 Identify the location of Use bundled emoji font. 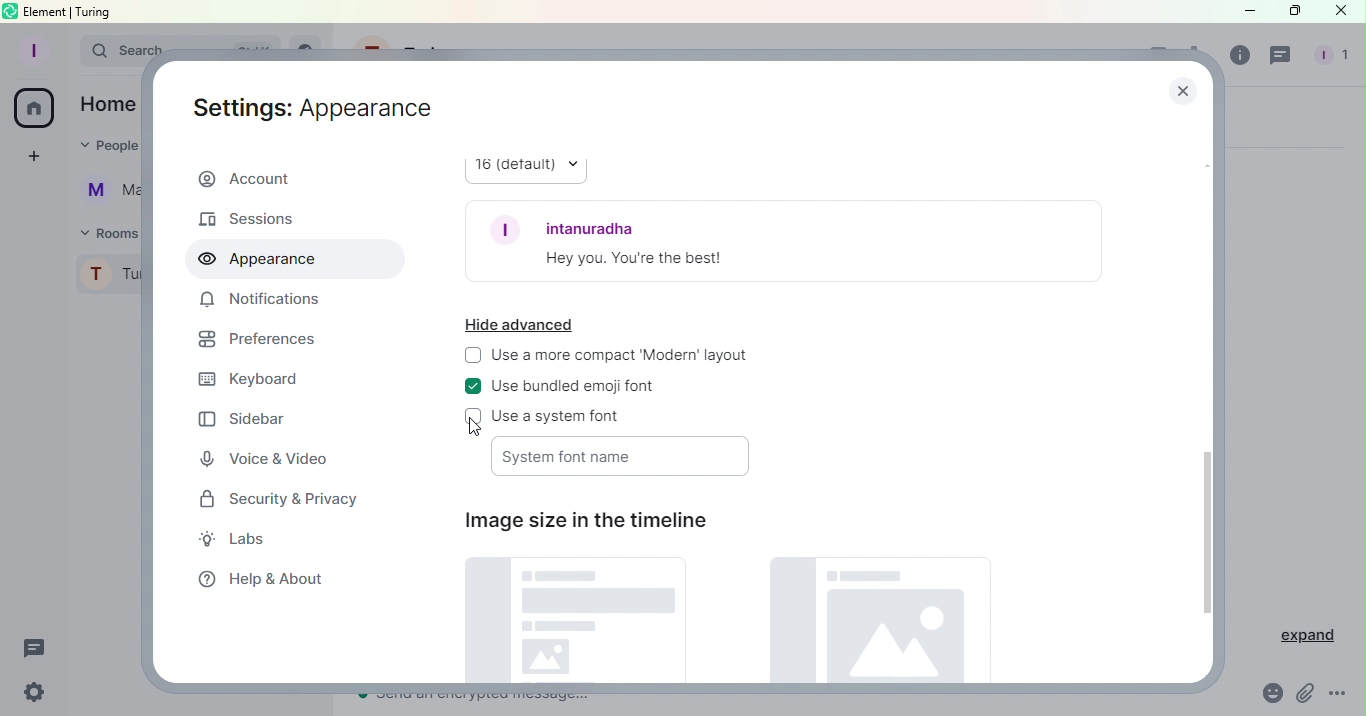
(576, 387).